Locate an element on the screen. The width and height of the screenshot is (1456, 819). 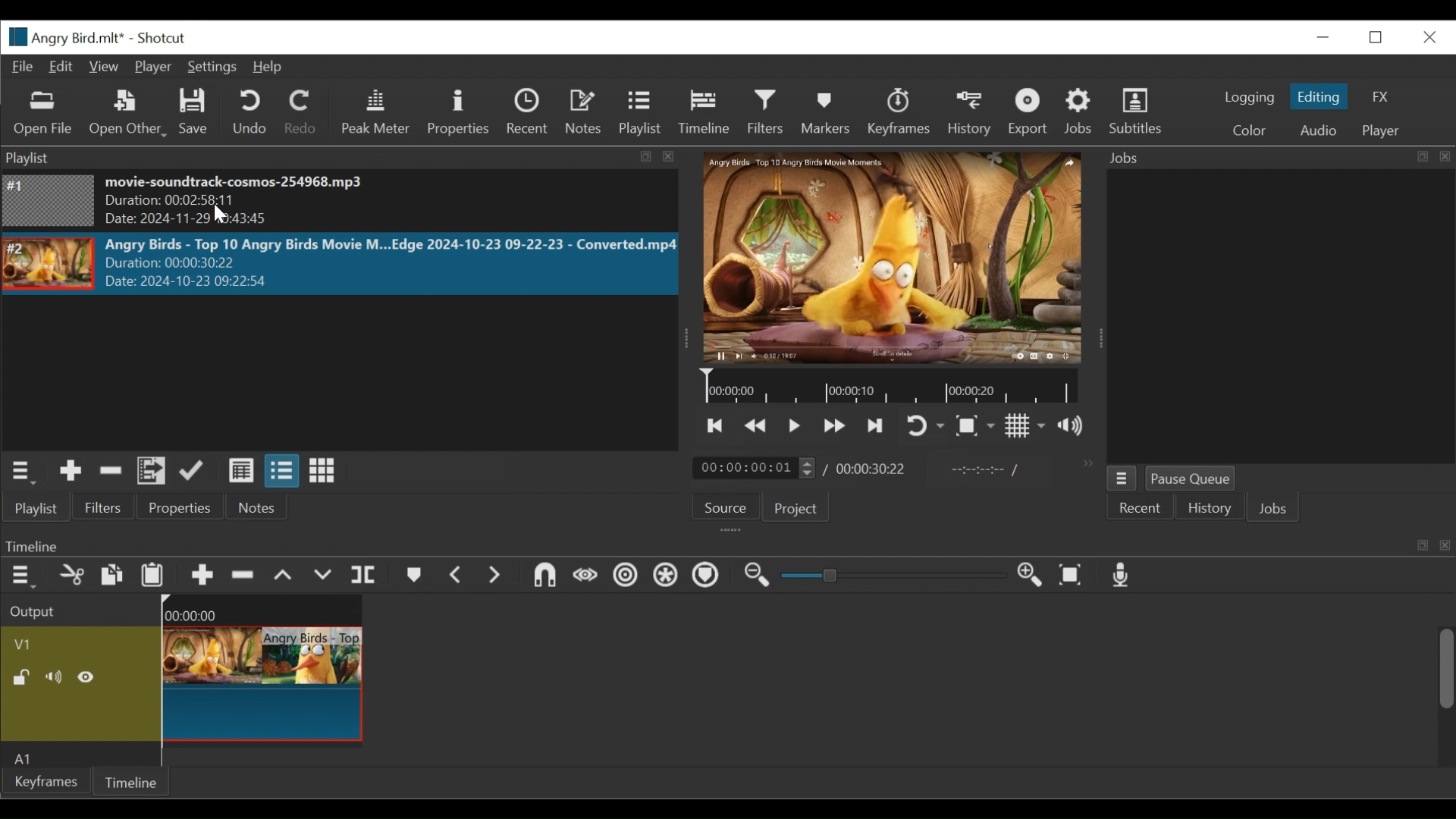
Jobs is located at coordinates (1080, 114).